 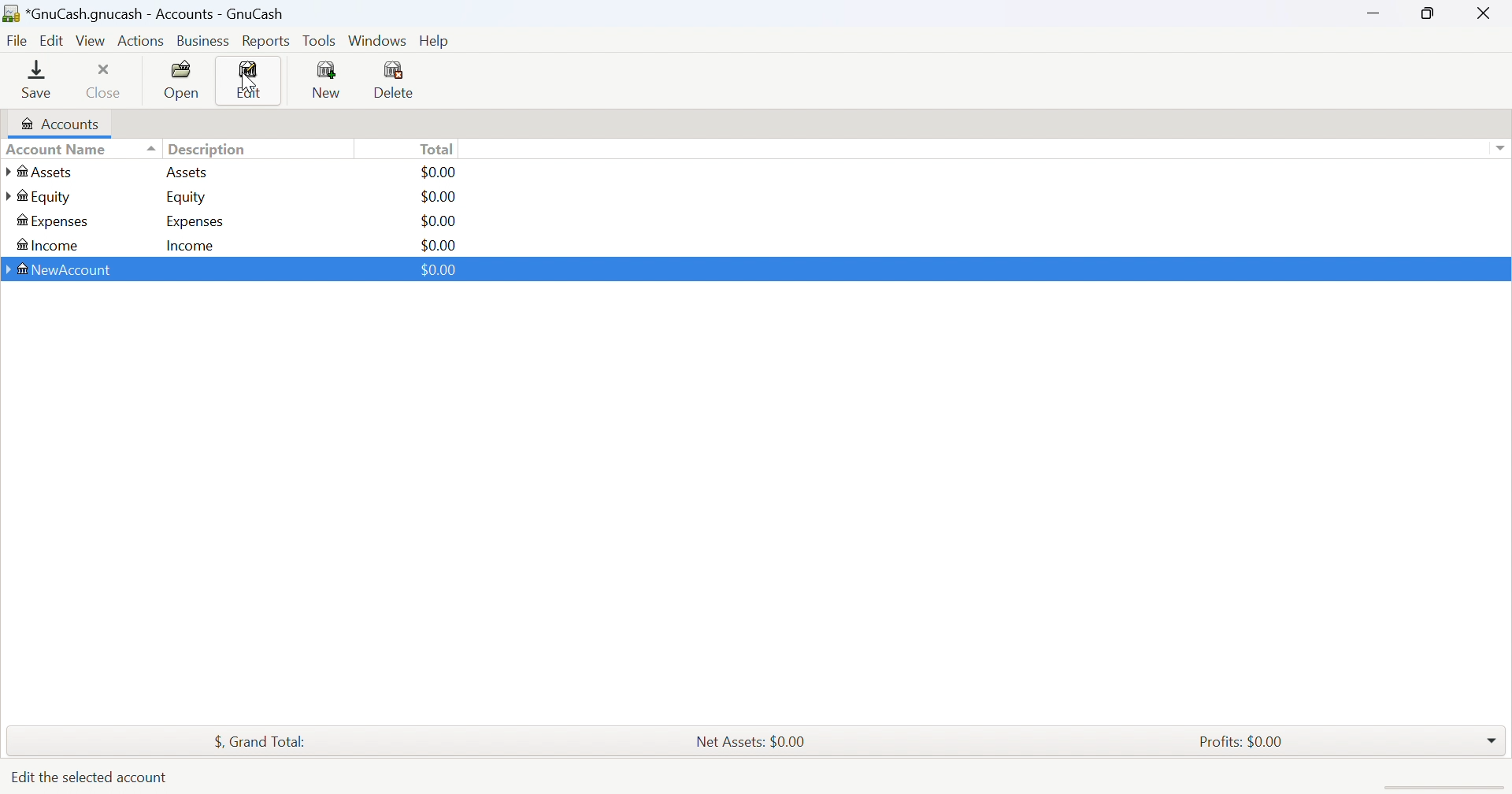 What do you see at coordinates (36, 78) in the screenshot?
I see `Save` at bounding box center [36, 78].